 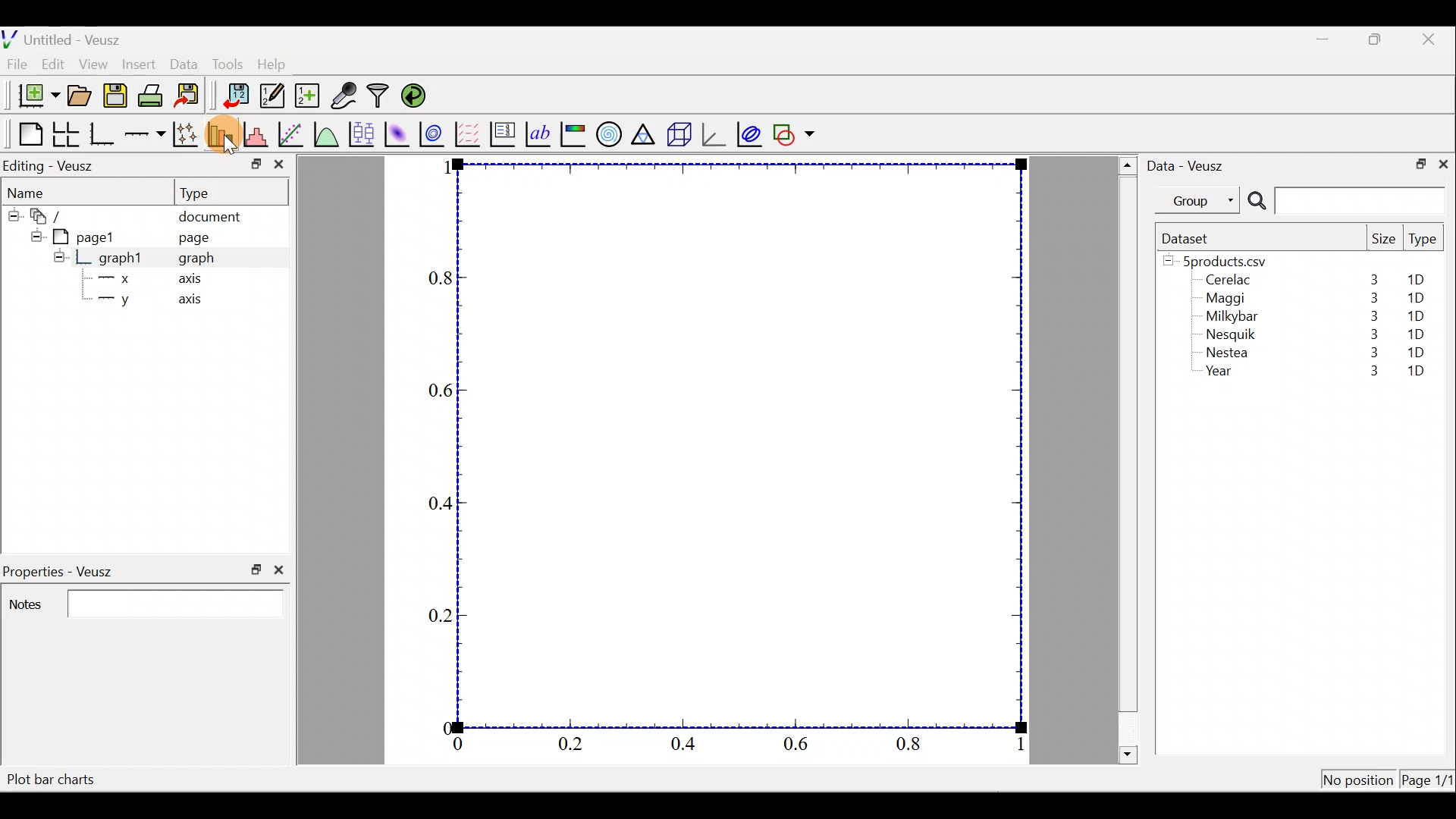 What do you see at coordinates (33, 96) in the screenshot?
I see `New document` at bounding box center [33, 96].